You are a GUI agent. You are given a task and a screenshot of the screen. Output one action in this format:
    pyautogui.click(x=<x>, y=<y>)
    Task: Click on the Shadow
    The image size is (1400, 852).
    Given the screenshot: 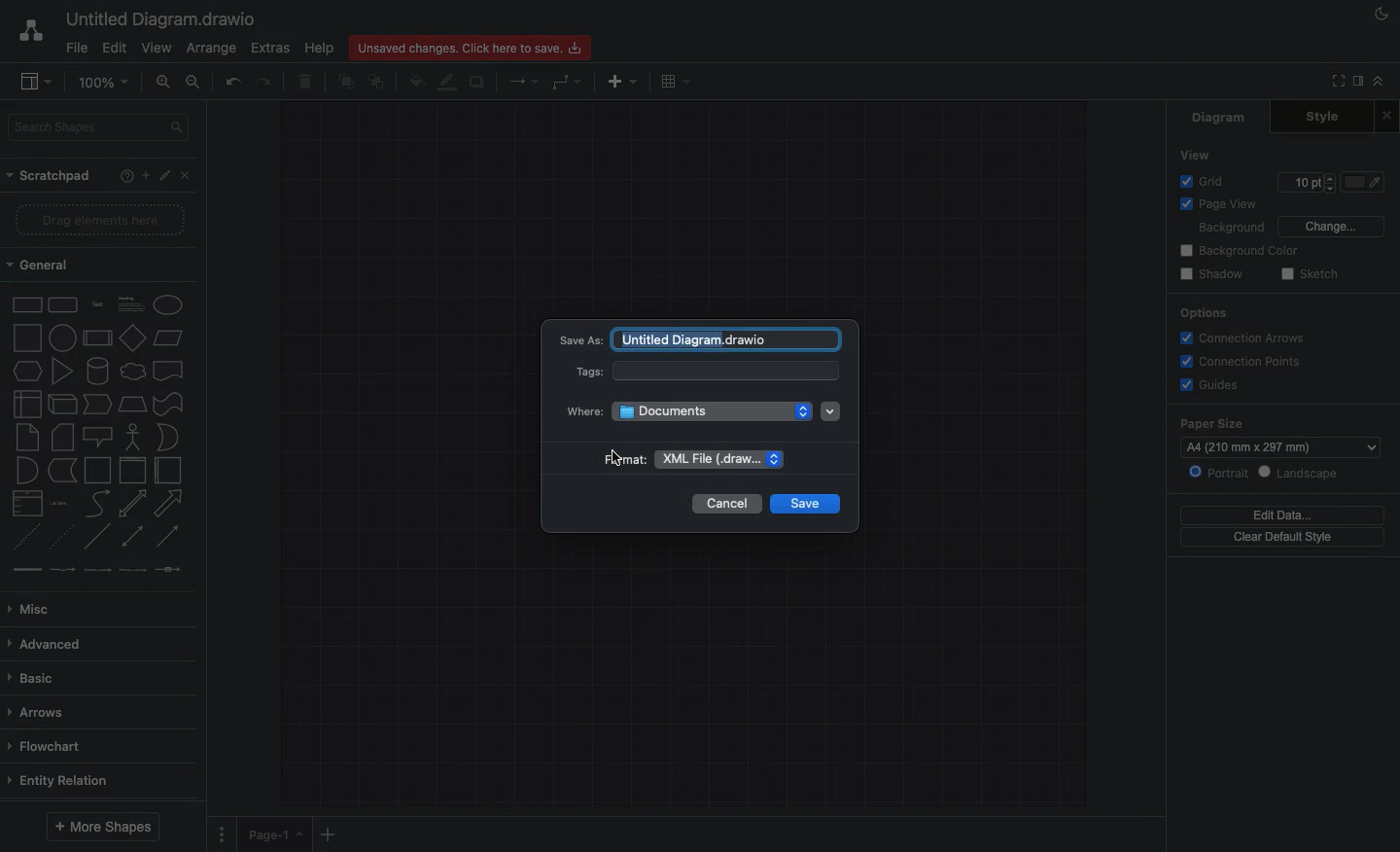 What is the action you would take?
    pyautogui.click(x=477, y=83)
    